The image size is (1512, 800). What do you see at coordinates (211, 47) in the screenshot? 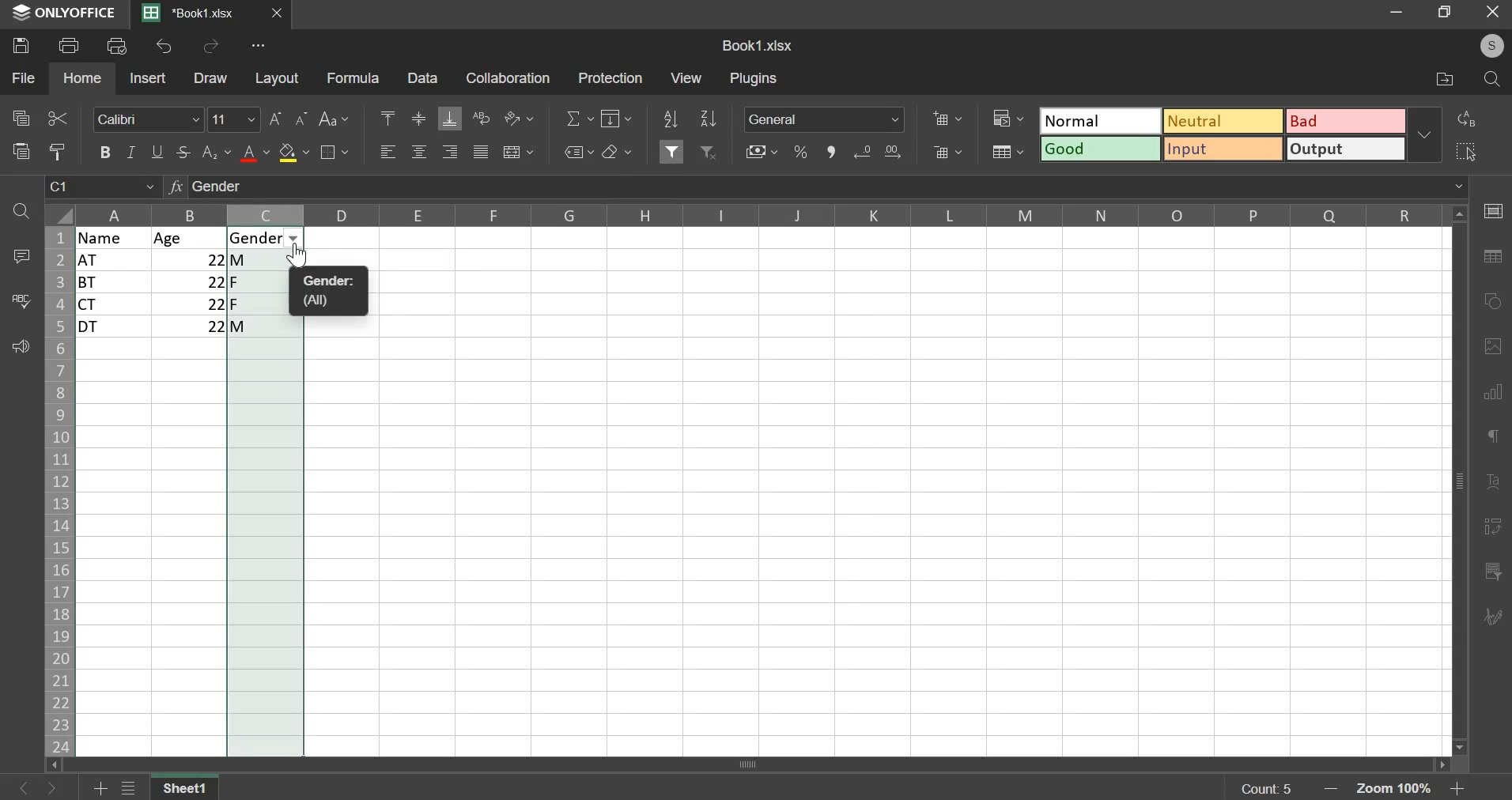
I see `redo` at bounding box center [211, 47].